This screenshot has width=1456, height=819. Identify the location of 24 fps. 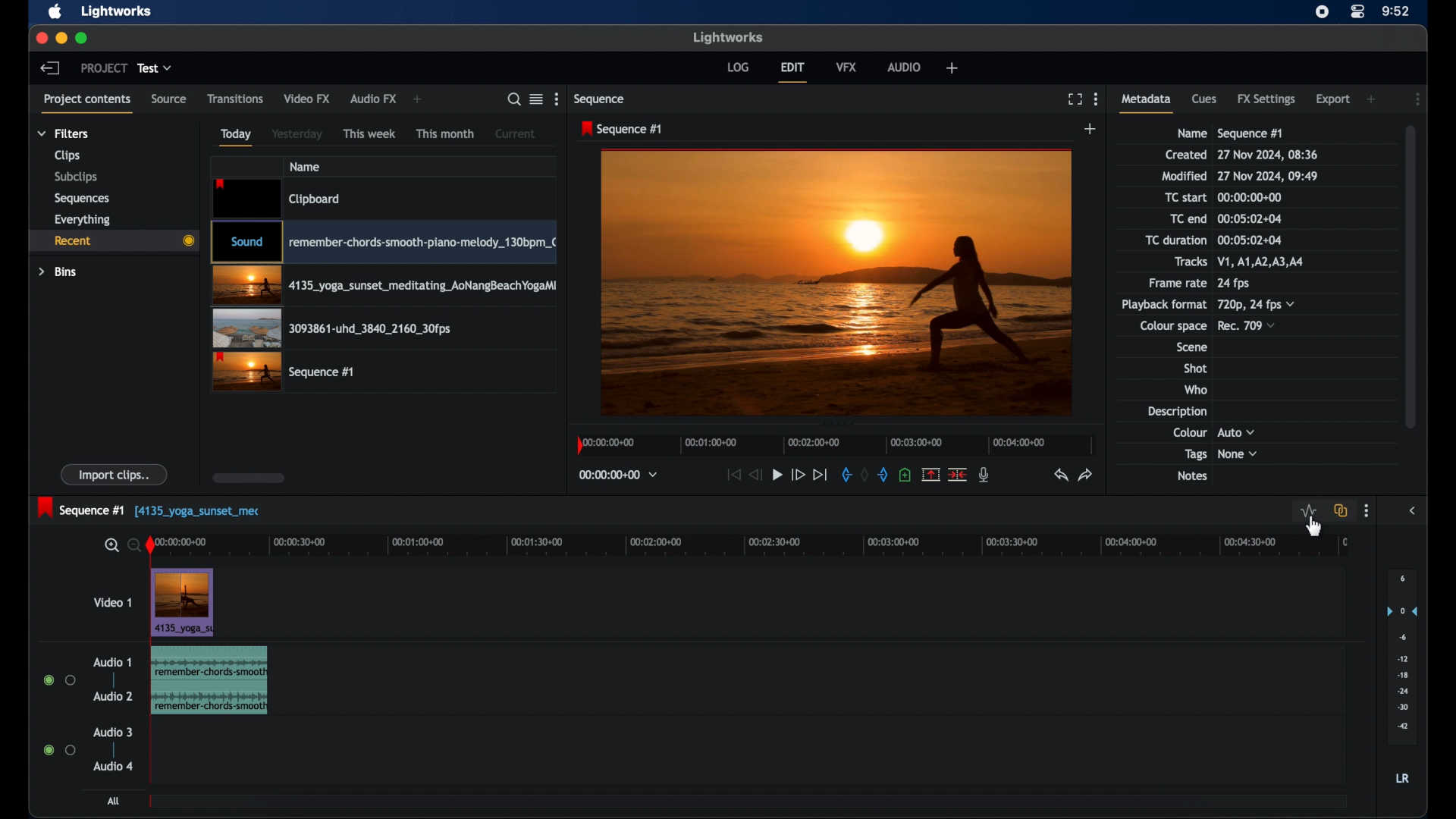
(1234, 284).